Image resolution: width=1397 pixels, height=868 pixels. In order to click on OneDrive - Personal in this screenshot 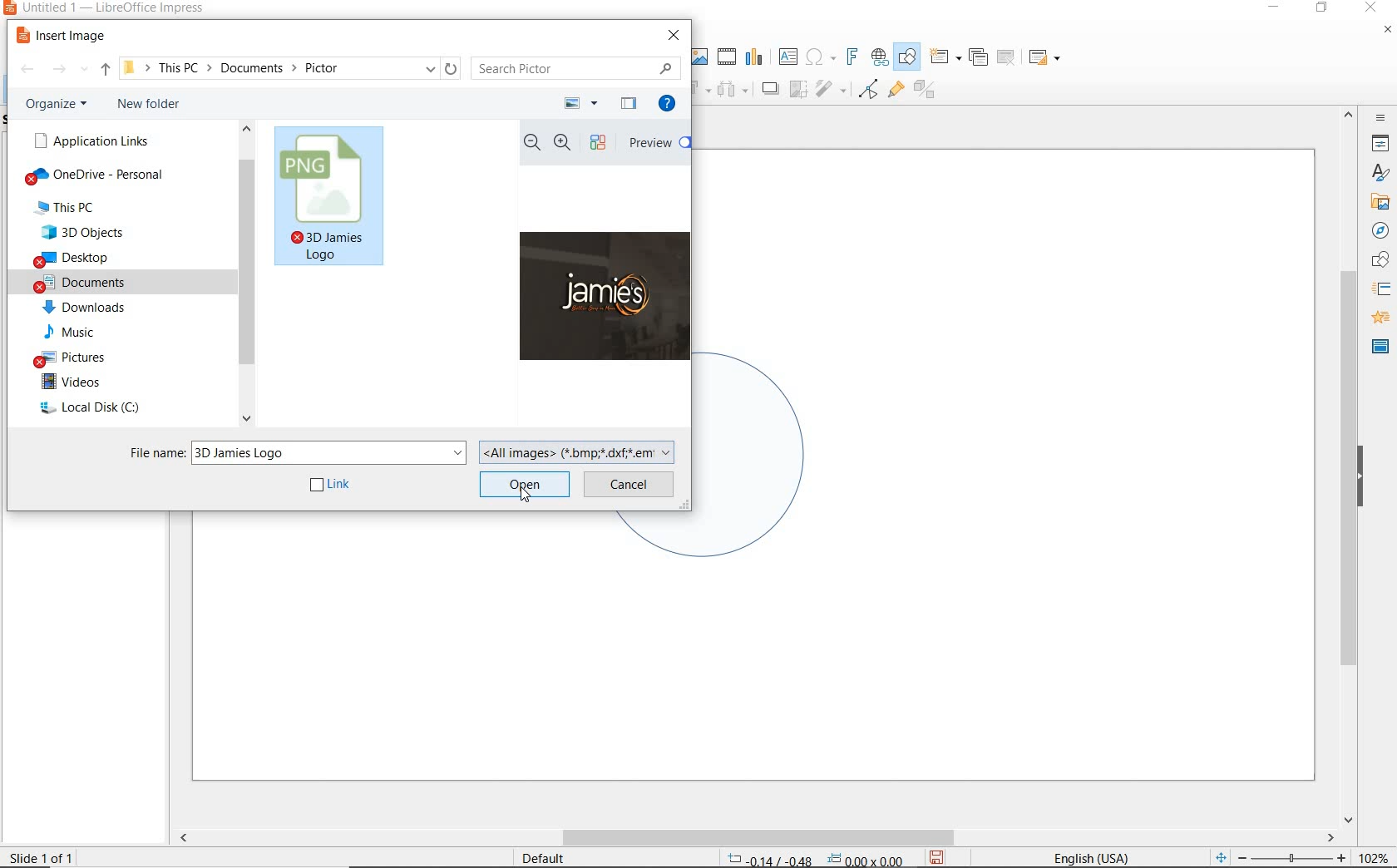, I will do `click(101, 177)`.